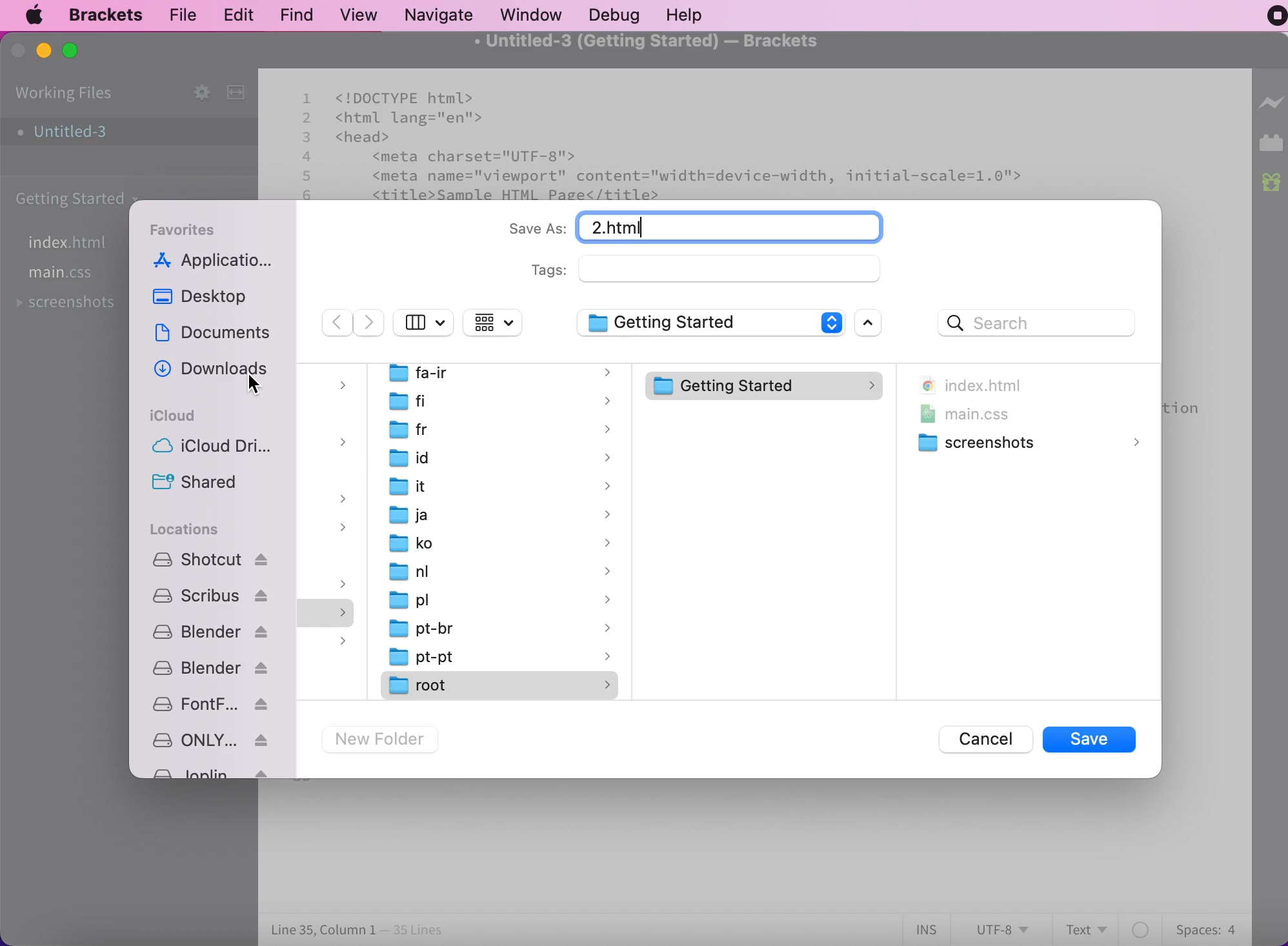 This screenshot has height=946, width=1288. Describe the element at coordinates (75, 243) in the screenshot. I see `file index.html` at that location.